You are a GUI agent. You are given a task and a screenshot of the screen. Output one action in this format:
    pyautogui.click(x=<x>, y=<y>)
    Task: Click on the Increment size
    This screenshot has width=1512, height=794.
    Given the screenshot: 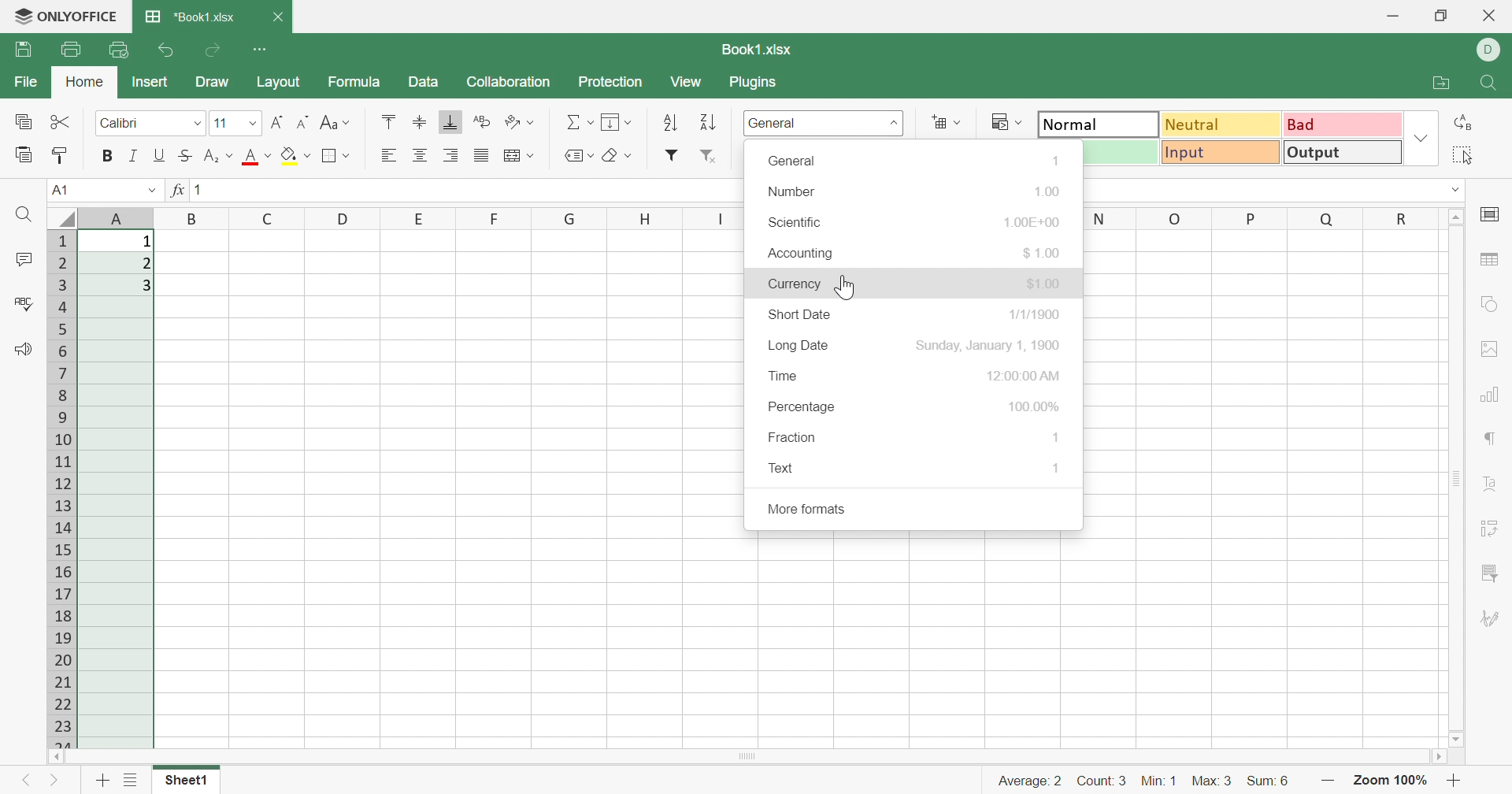 What is the action you would take?
    pyautogui.click(x=277, y=123)
    